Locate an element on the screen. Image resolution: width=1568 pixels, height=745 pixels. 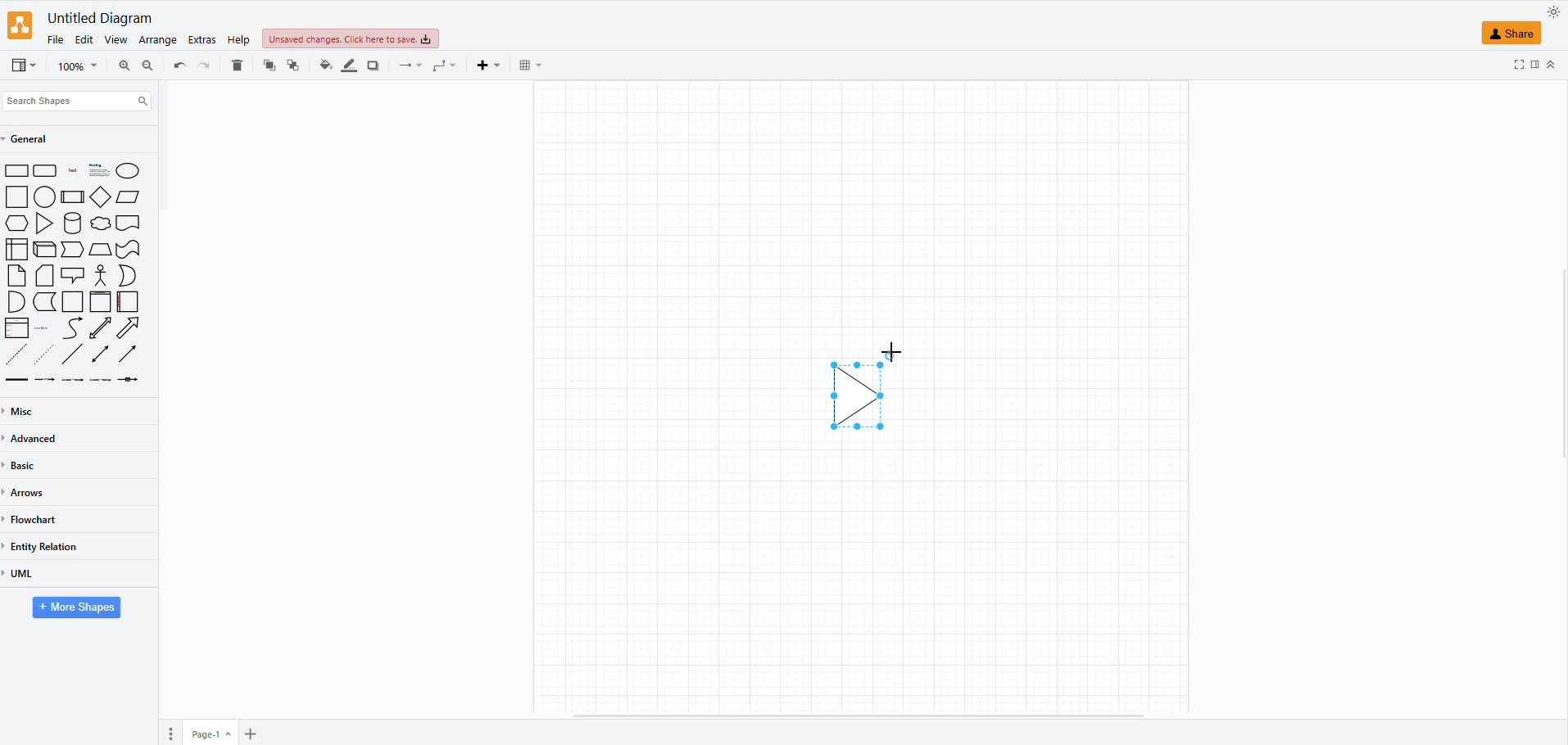
Rectangle is located at coordinates (16, 196).